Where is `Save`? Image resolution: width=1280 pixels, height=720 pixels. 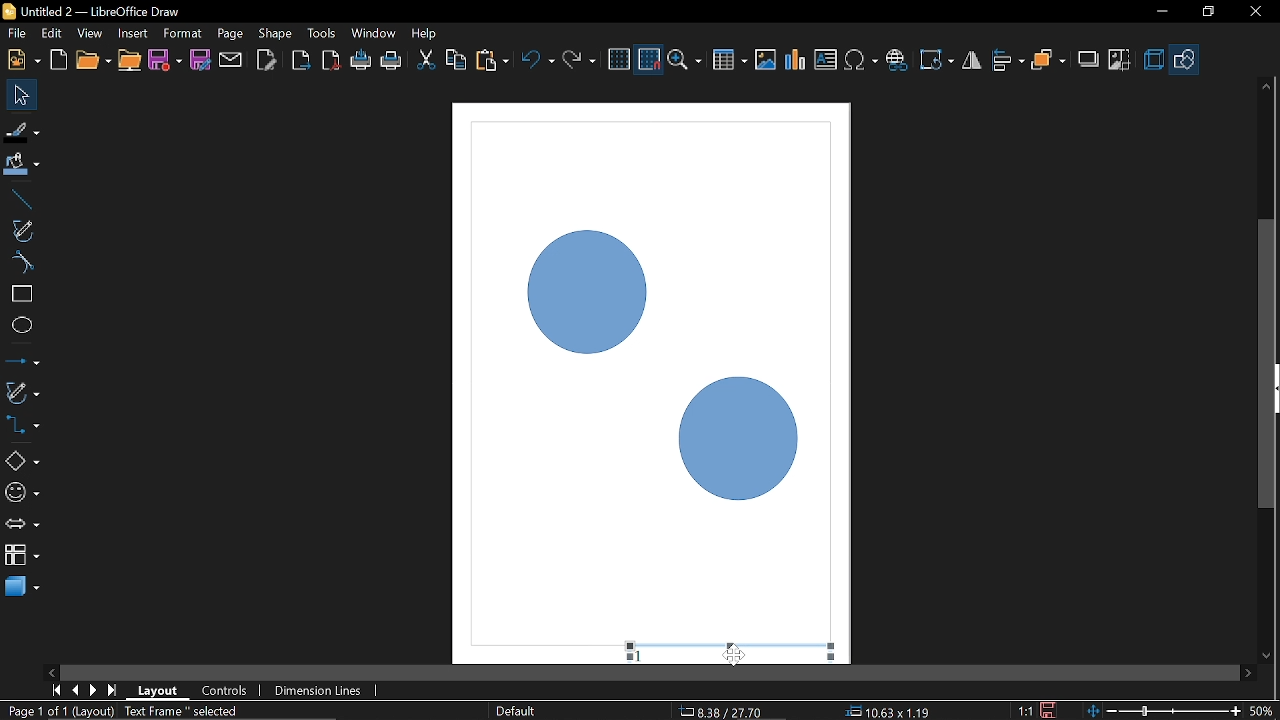
Save is located at coordinates (166, 62).